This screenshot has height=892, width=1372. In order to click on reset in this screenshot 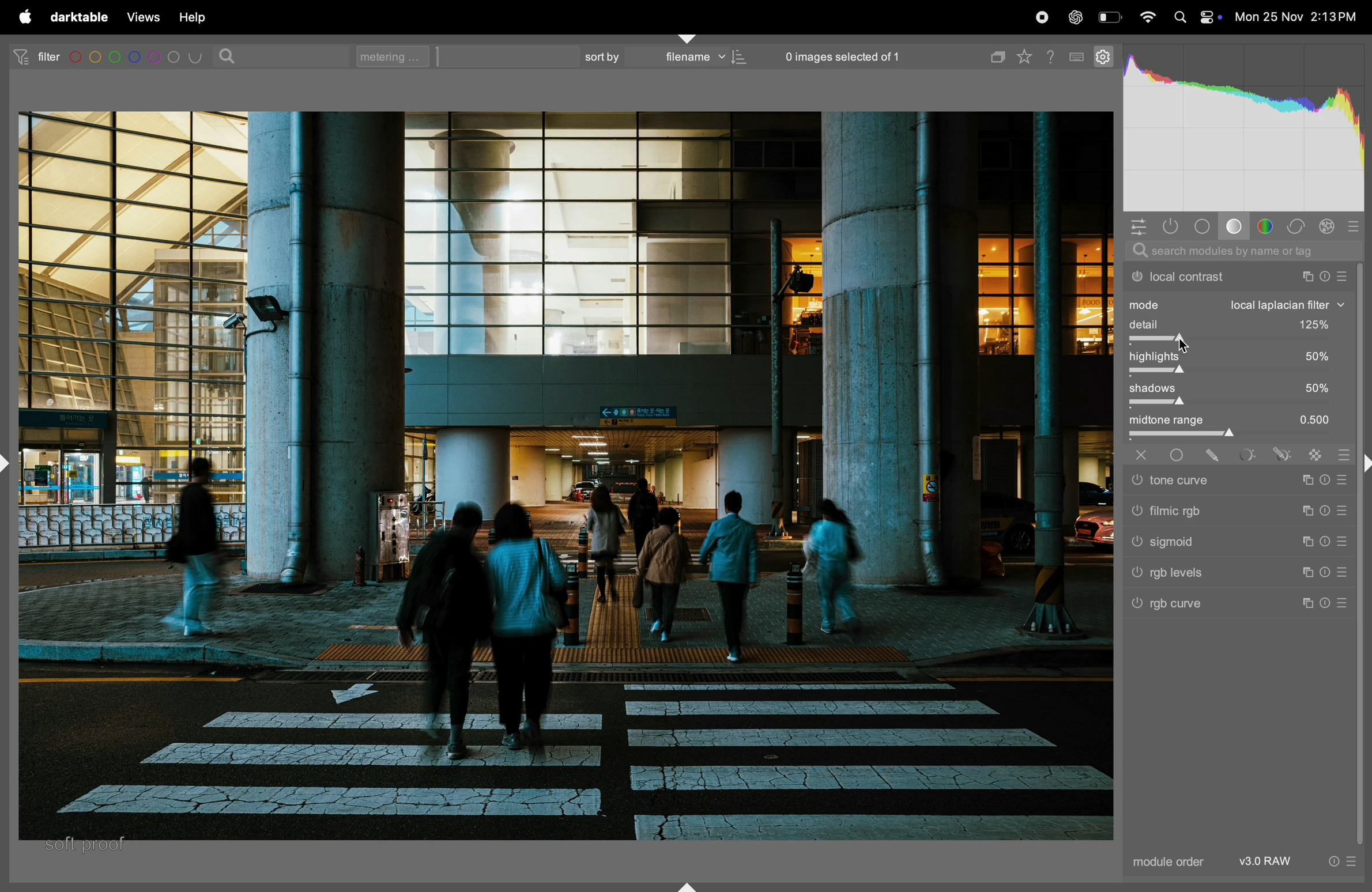, I will do `click(1325, 478)`.